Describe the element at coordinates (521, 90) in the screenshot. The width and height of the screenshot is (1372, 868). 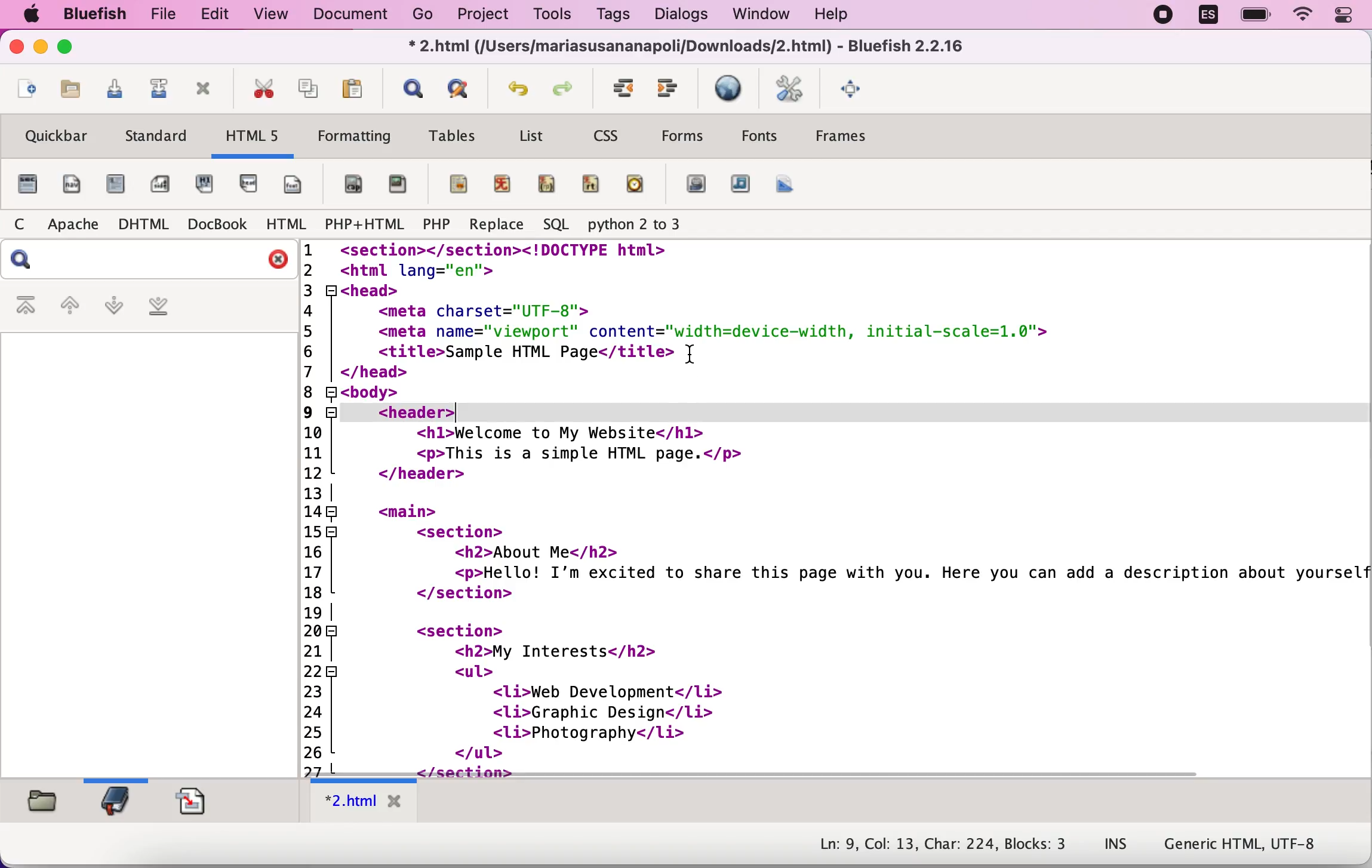
I see `undo` at that location.